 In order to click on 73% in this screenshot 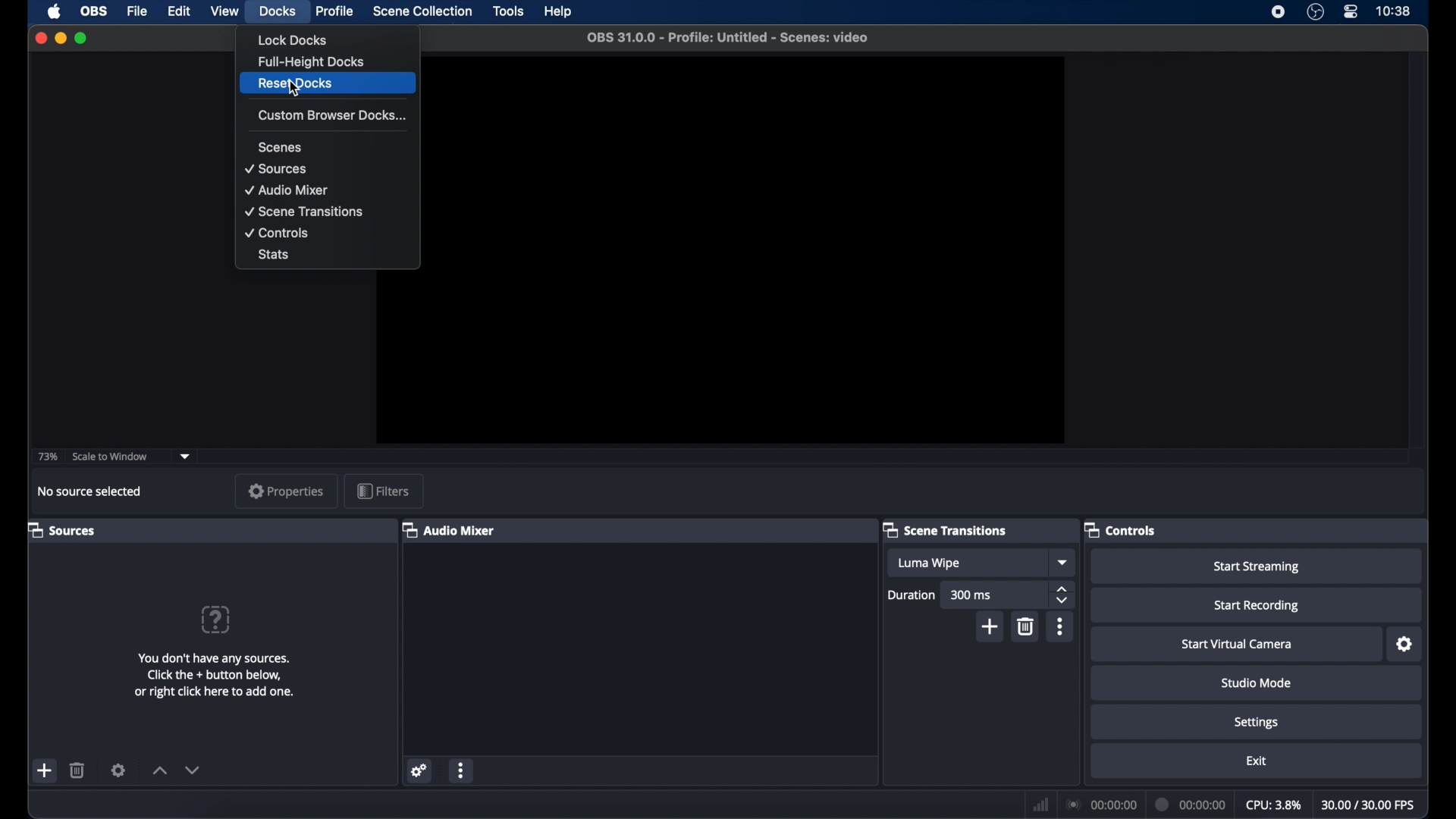, I will do `click(47, 457)`.